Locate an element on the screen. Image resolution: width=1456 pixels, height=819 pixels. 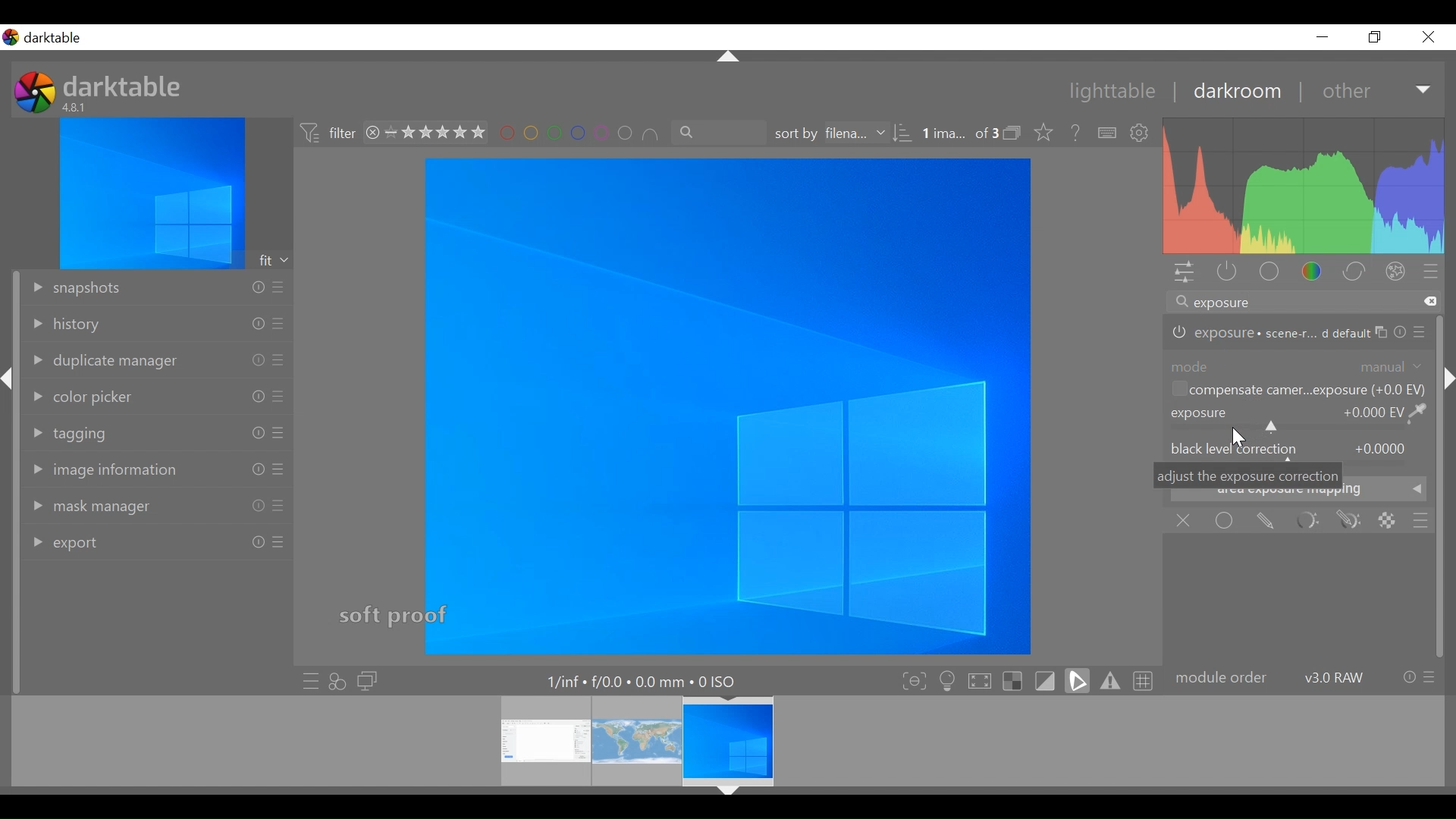
Exposure  is located at coordinates (1294, 428).